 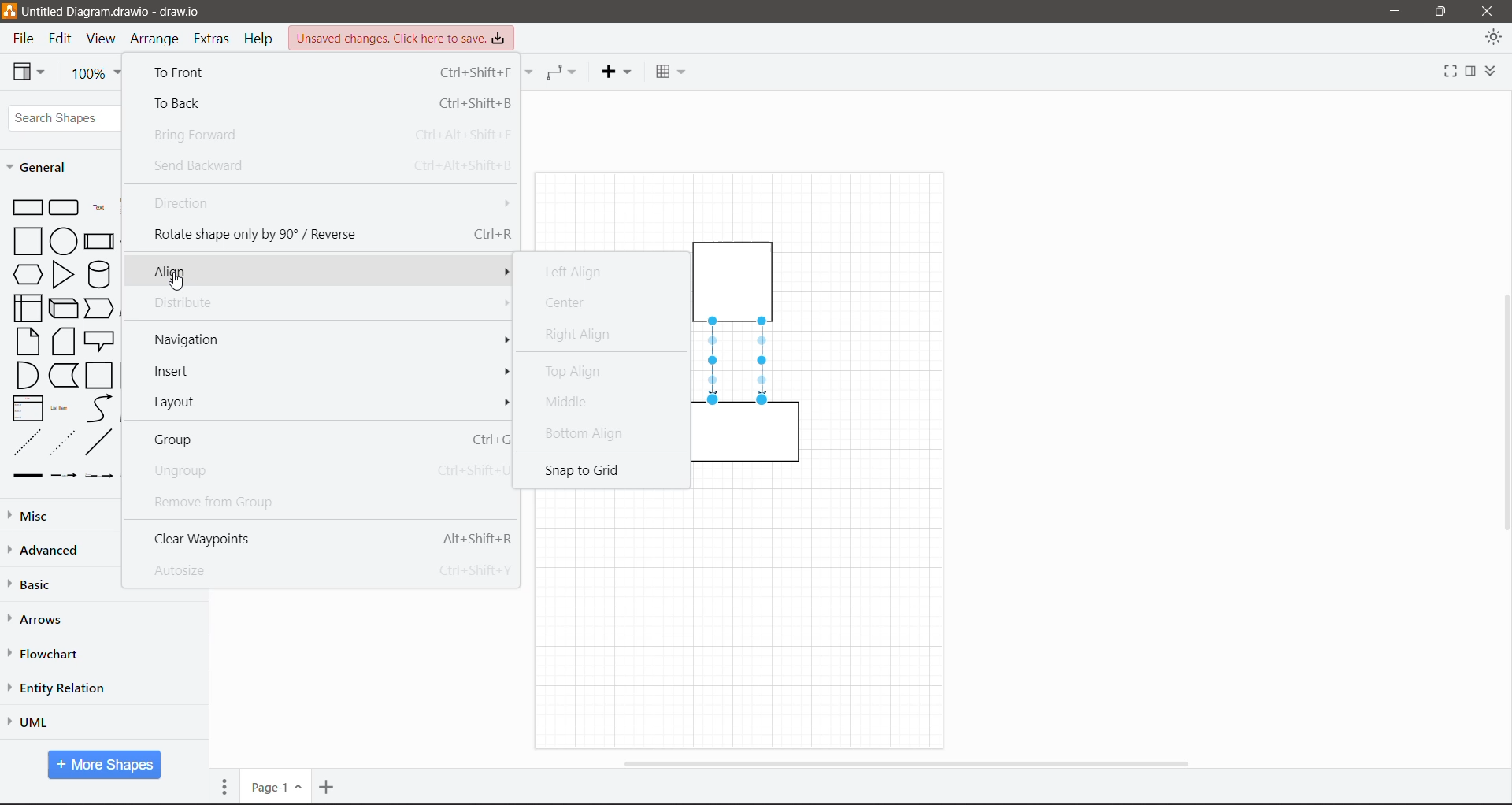 What do you see at coordinates (26, 375) in the screenshot?
I see `And` at bounding box center [26, 375].